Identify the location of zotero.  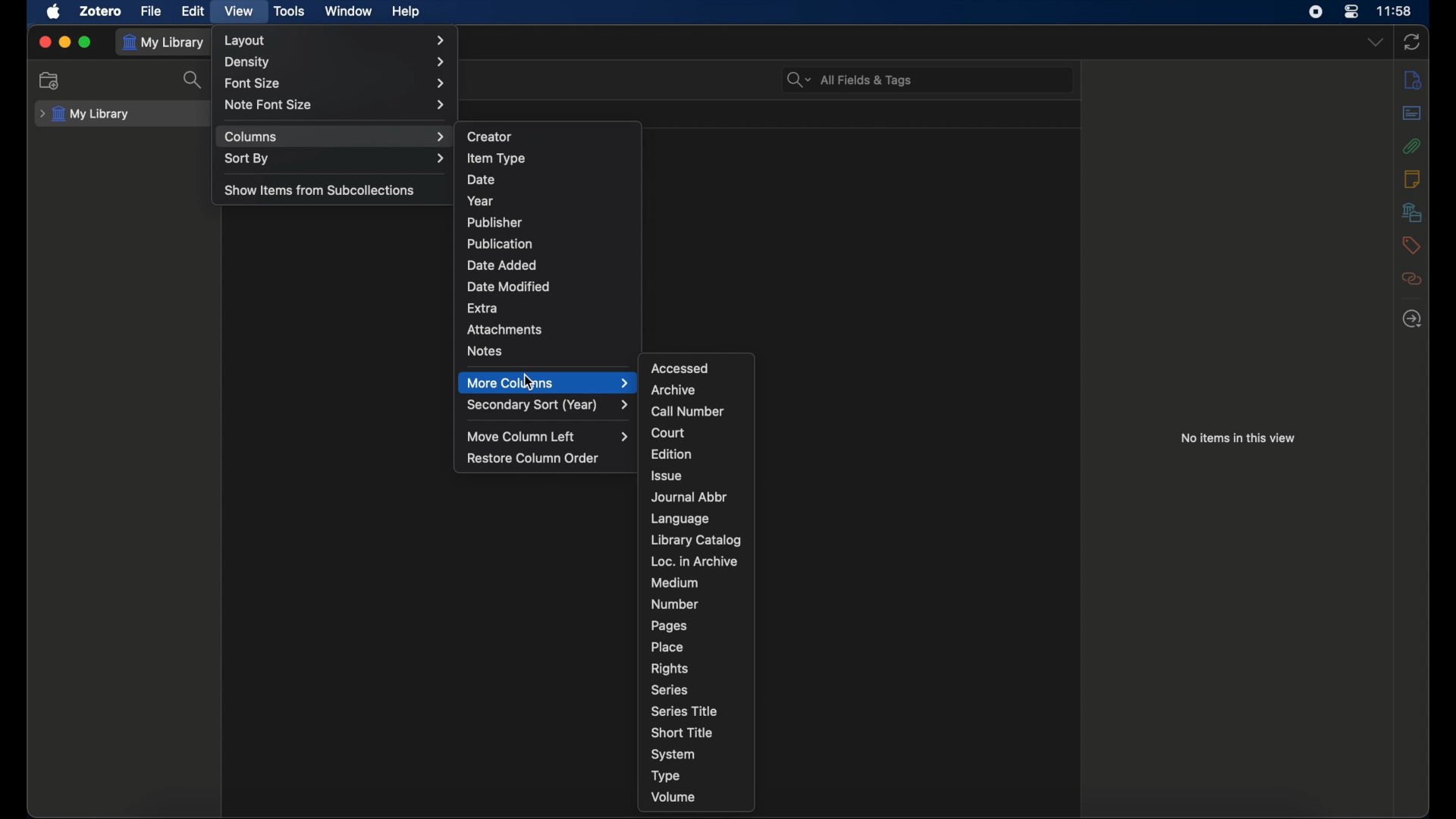
(100, 11).